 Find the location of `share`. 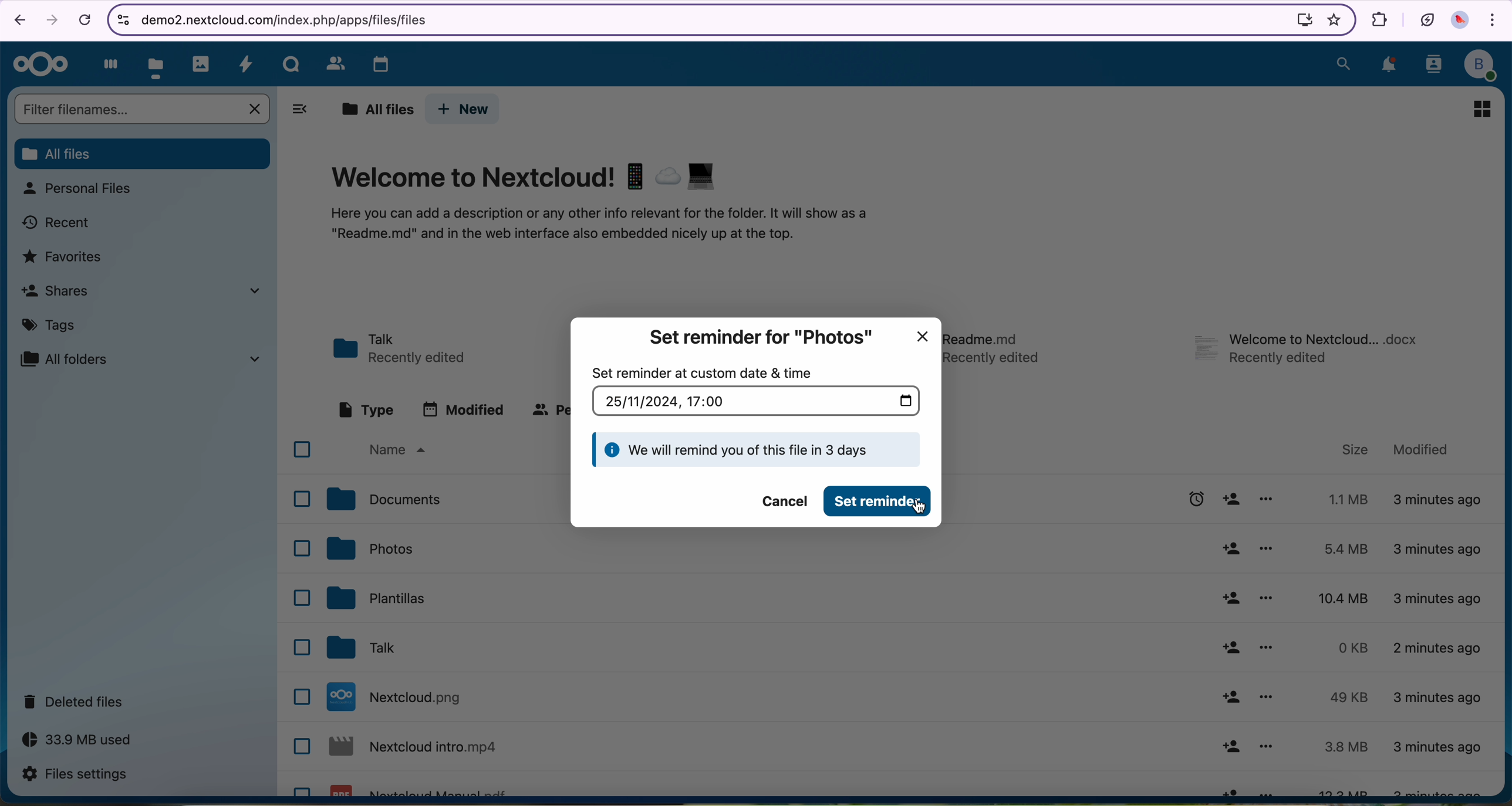

share is located at coordinates (1227, 550).